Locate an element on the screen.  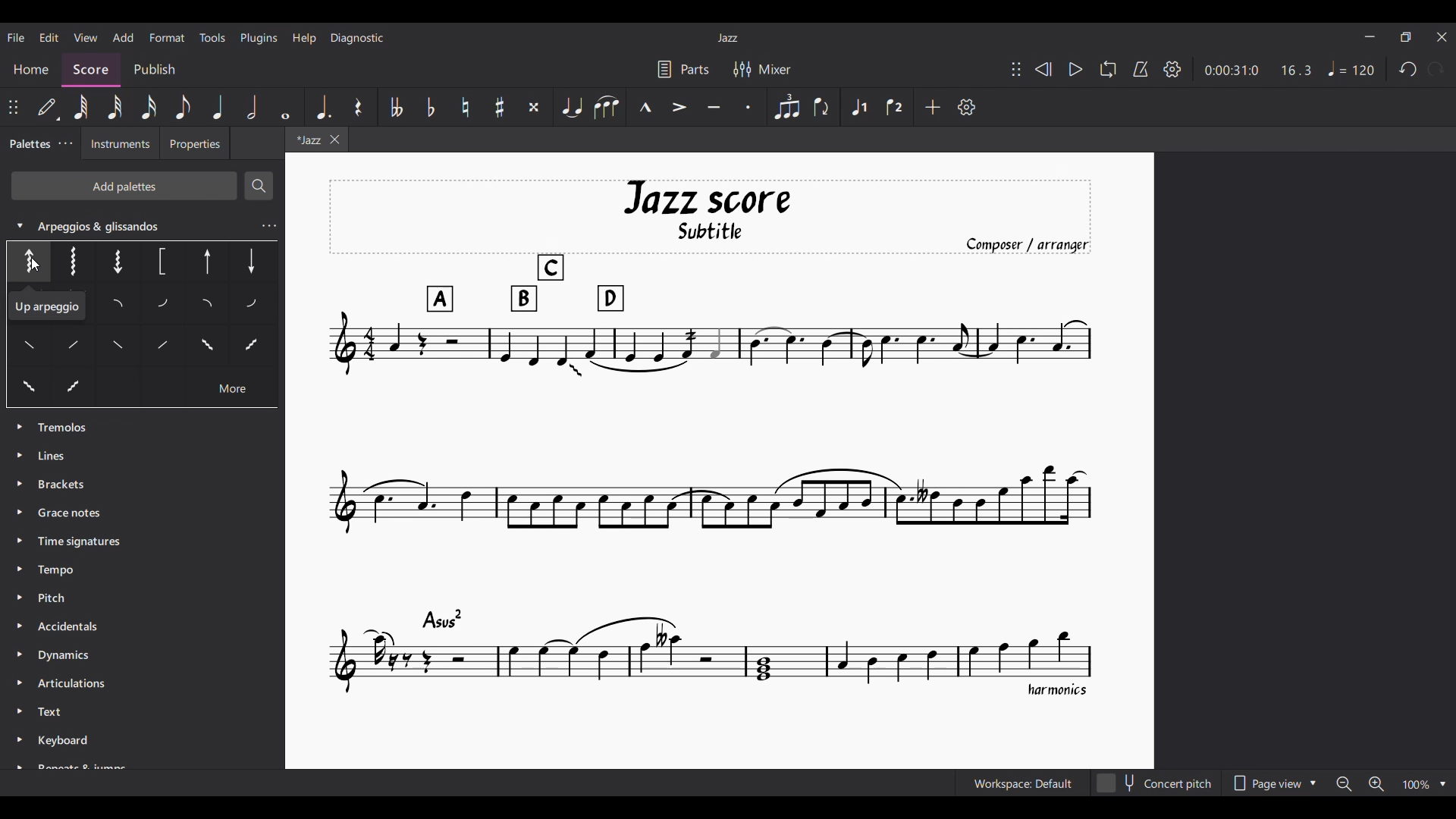
Help menu is located at coordinates (305, 39).